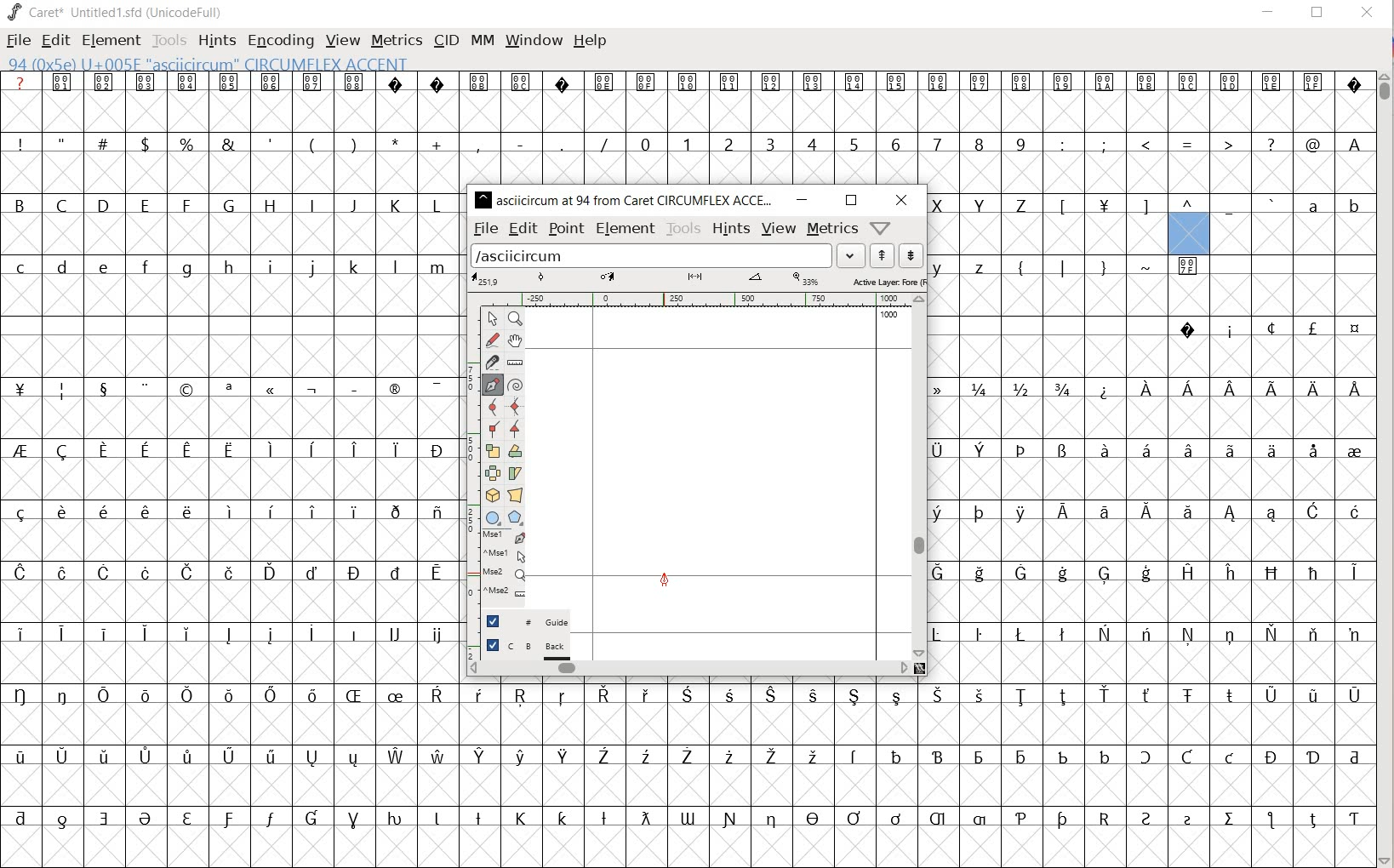 Image resolution: width=1394 pixels, height=868 pixels. Describe the element at coordinates (518, 319) in the screenshot. I see `MAGNIFY` at that location.